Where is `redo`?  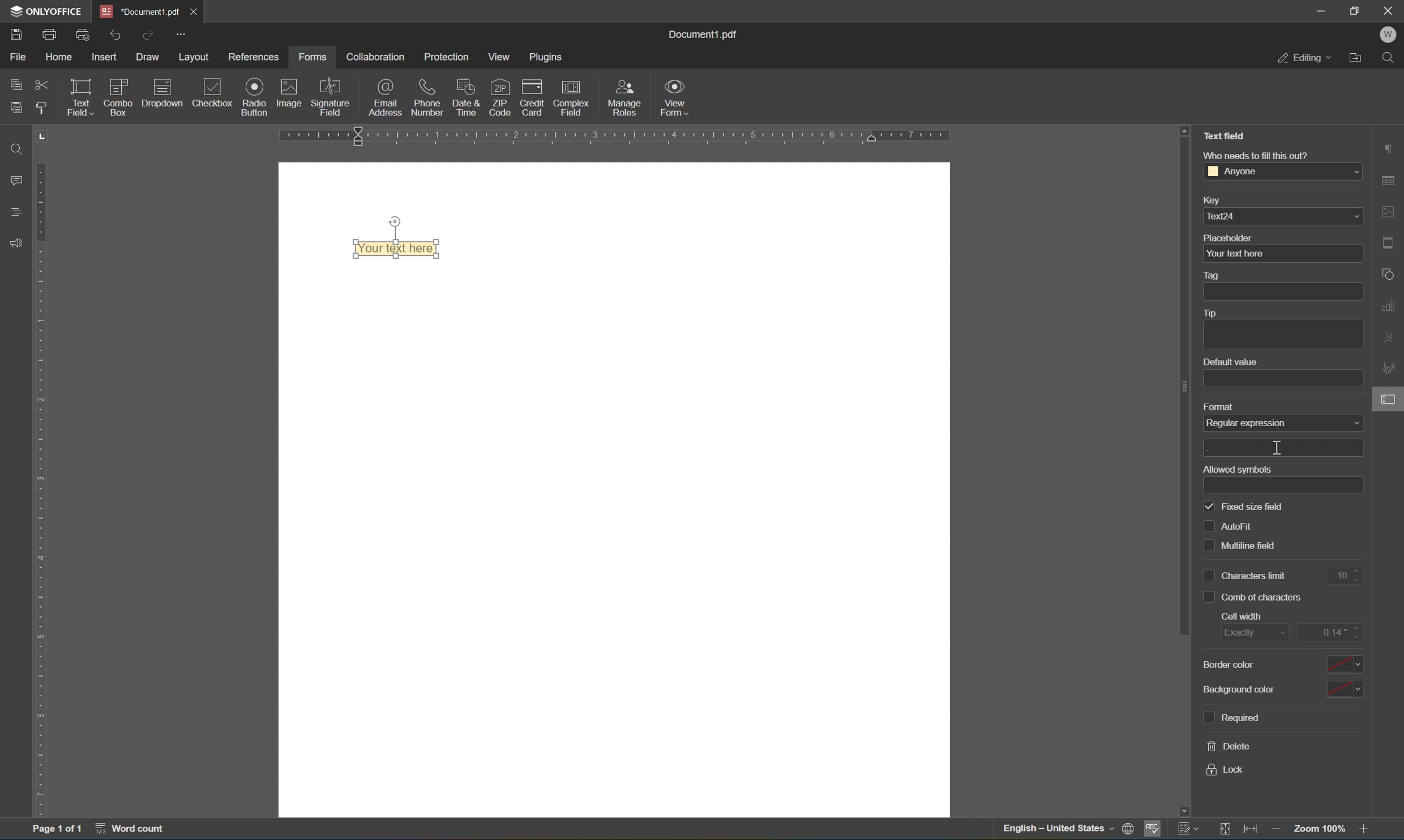 redo is located at coordinates (150, 35).